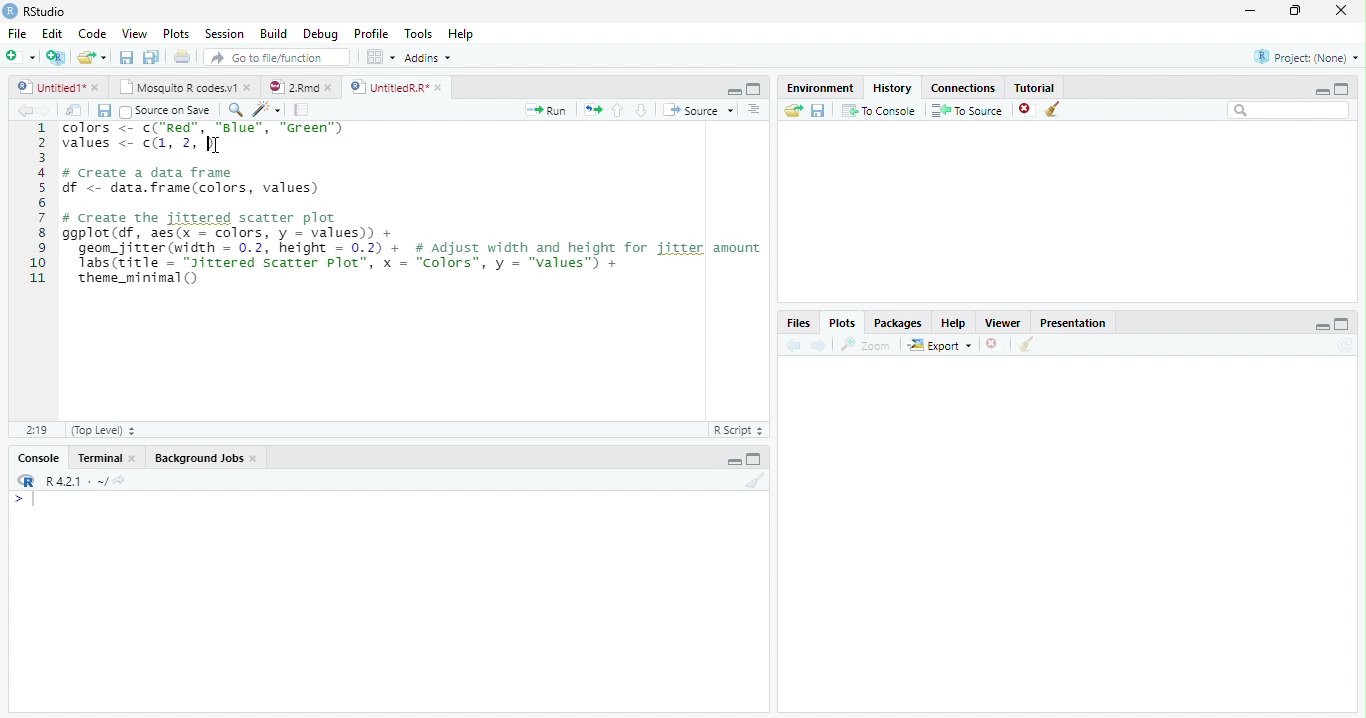 This screenshot has width=1366, height=718. Describe the element at coordinates (753, 109) in the screenshot. I see `Show document outline` at that location.